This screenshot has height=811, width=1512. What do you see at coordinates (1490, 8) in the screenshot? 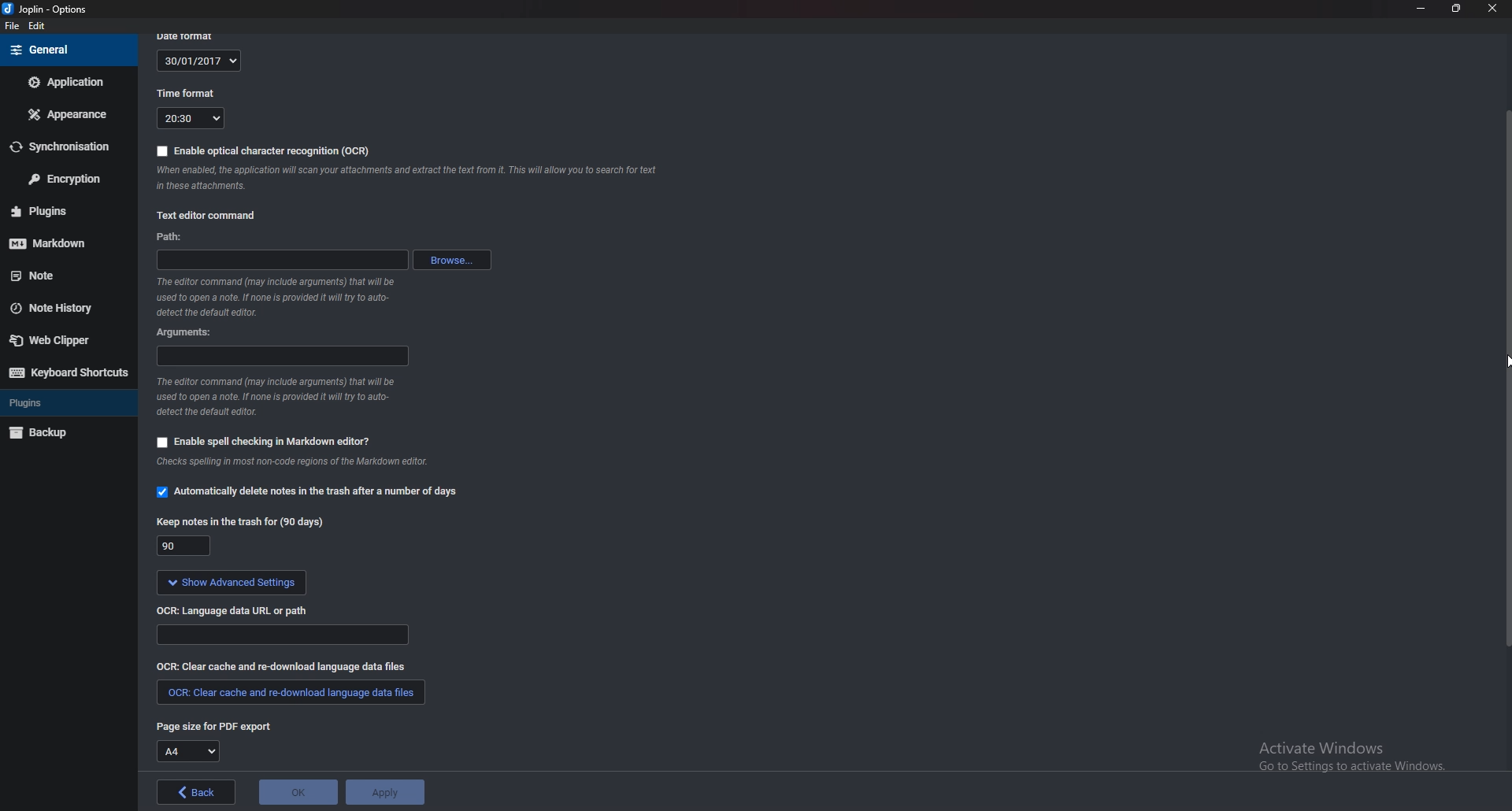
I see `close` at bounding box center [1490, 8].